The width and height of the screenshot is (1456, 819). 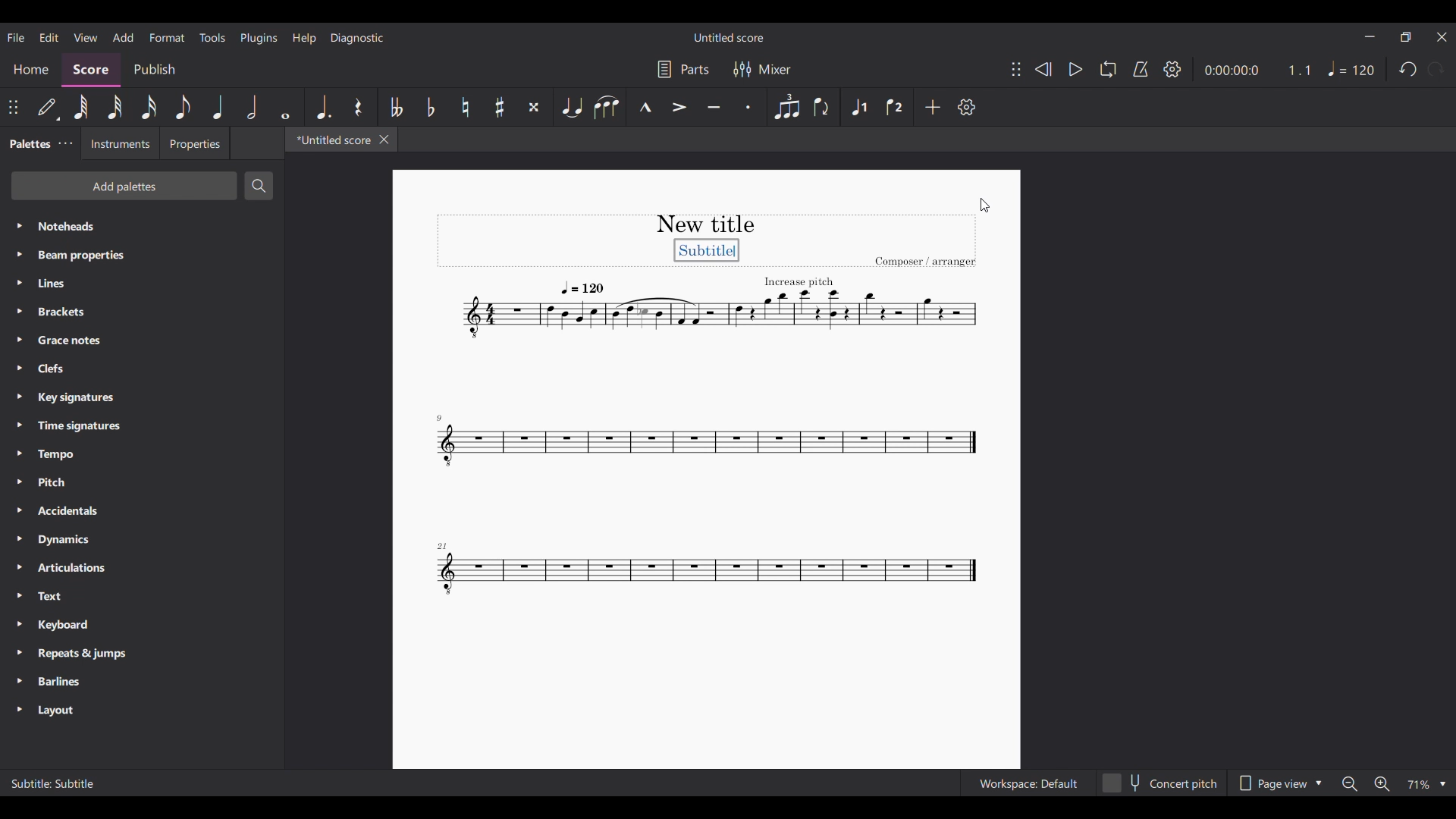 What do you see at coordinates (49, 36) in the screenshot?
I see `Edit menu` at bounding box center [49, 36].